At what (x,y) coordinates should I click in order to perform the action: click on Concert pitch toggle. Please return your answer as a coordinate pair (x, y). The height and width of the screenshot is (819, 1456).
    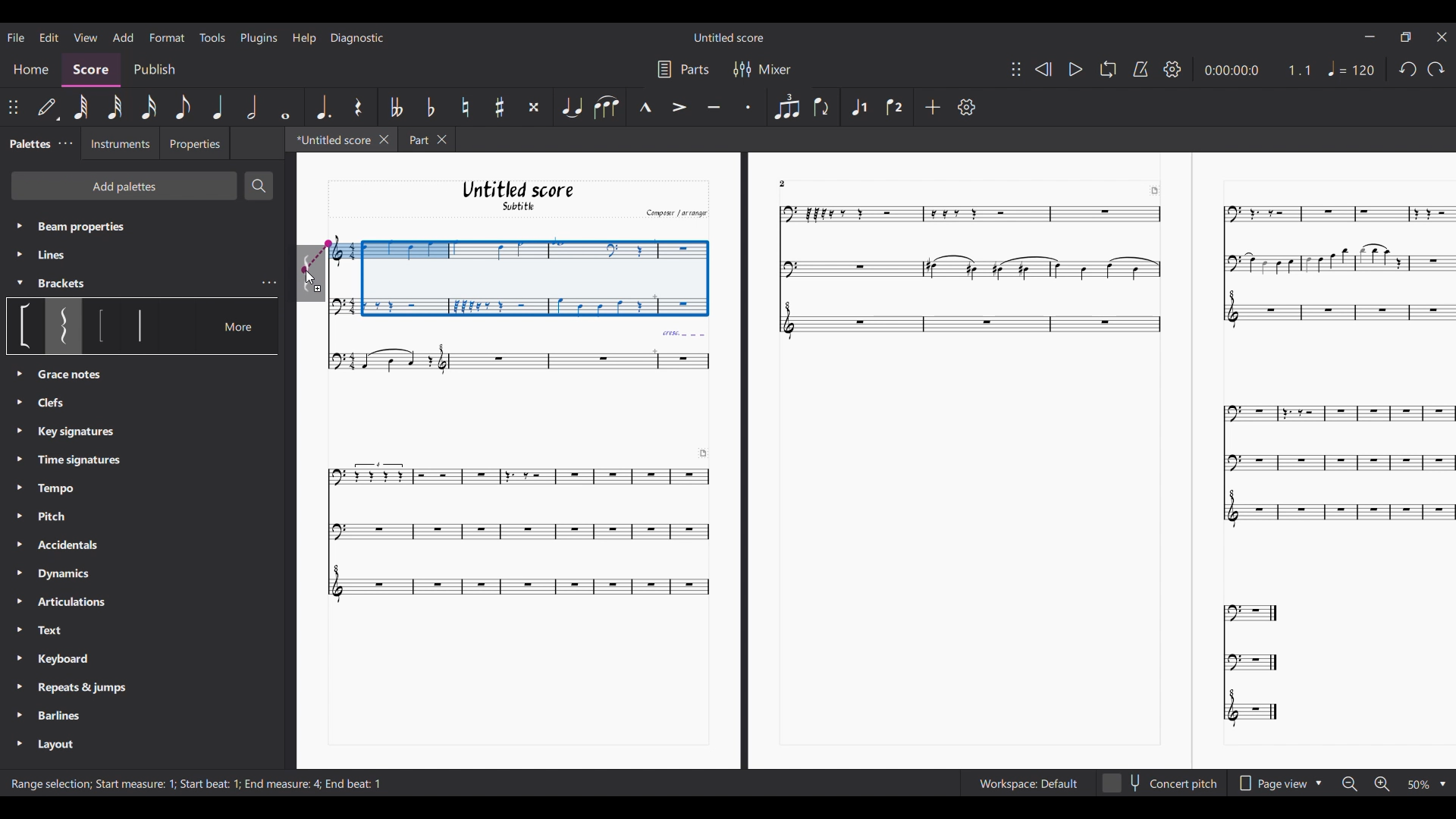
    Looking at the image, I should click on (1160, 783).